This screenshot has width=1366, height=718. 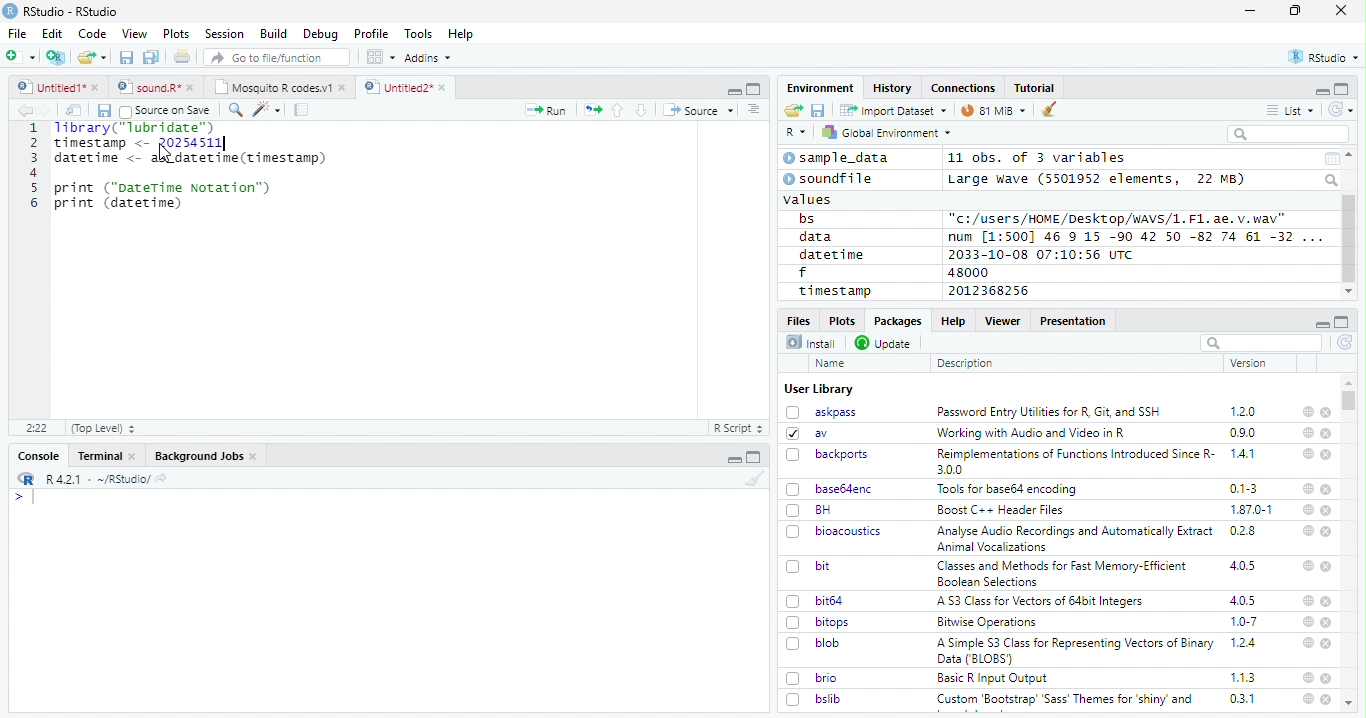 I want to click on Help, so click(x=461, y=35).